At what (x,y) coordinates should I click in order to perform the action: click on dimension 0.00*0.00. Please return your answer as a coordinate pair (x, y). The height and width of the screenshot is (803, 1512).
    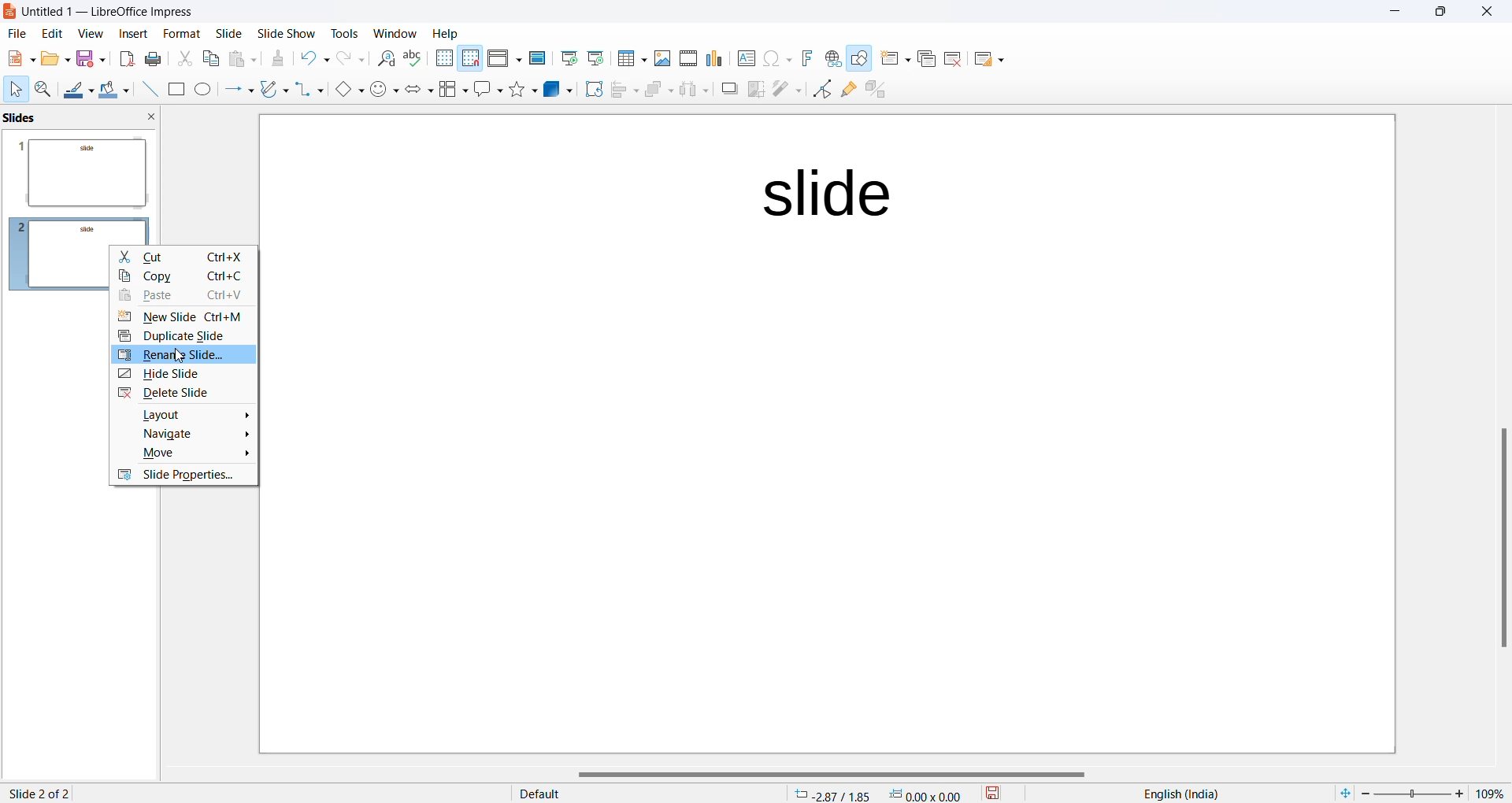
    Looking at the image, I should click on (929, 794).